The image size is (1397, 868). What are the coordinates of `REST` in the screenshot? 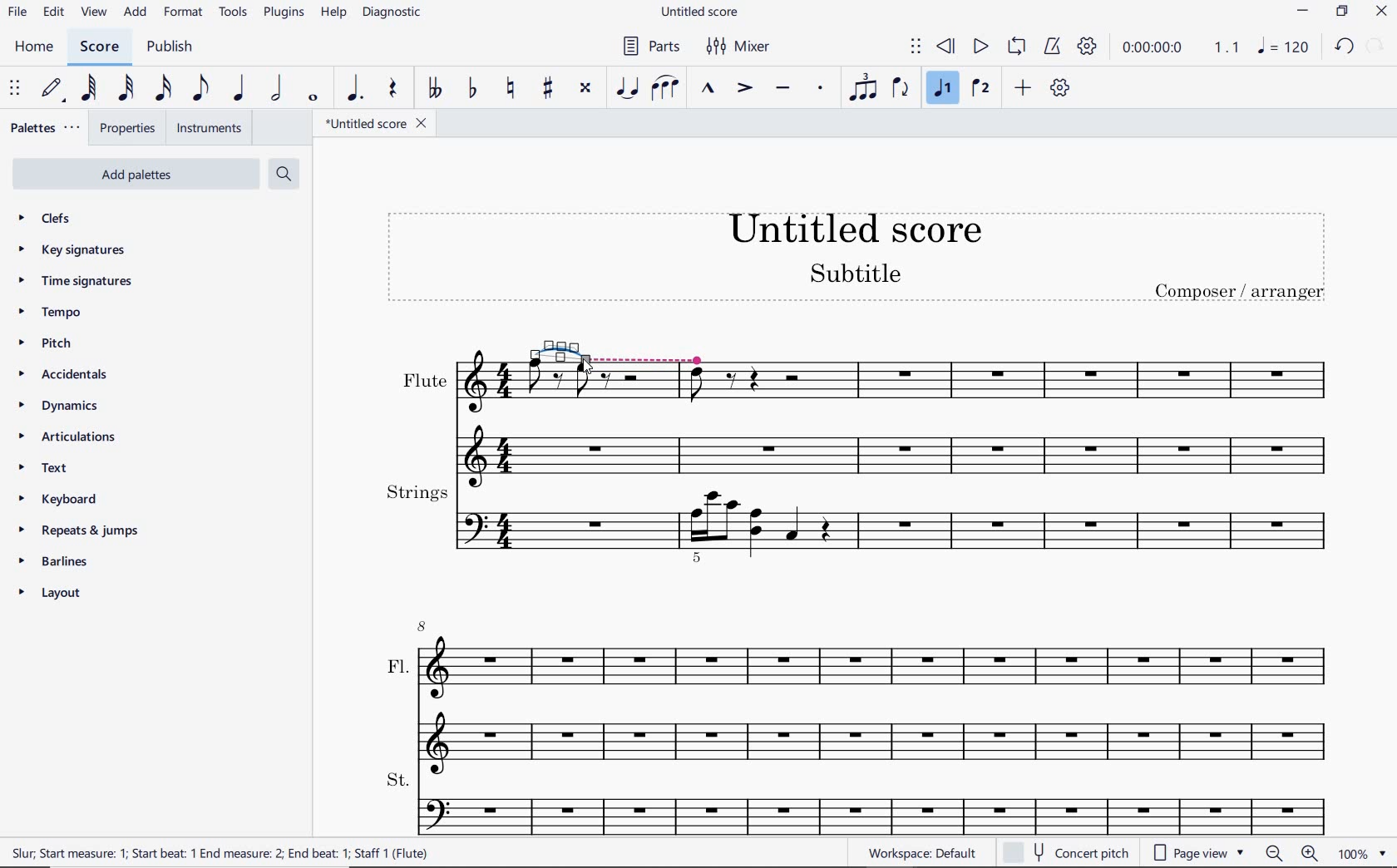 It's located at (393, 89).